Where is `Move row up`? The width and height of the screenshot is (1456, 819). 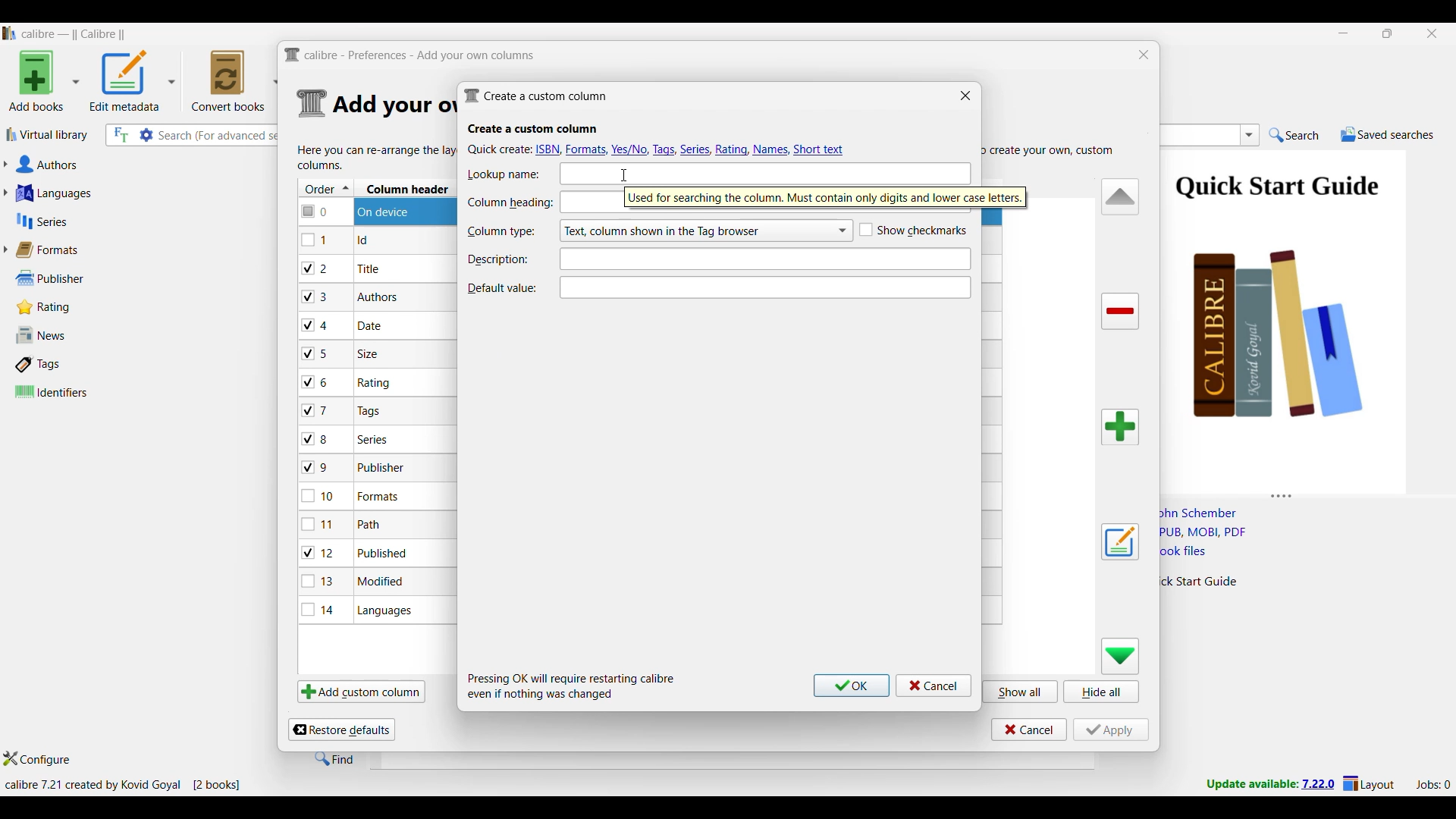 Move row up is located at coordinates (1121, 196).